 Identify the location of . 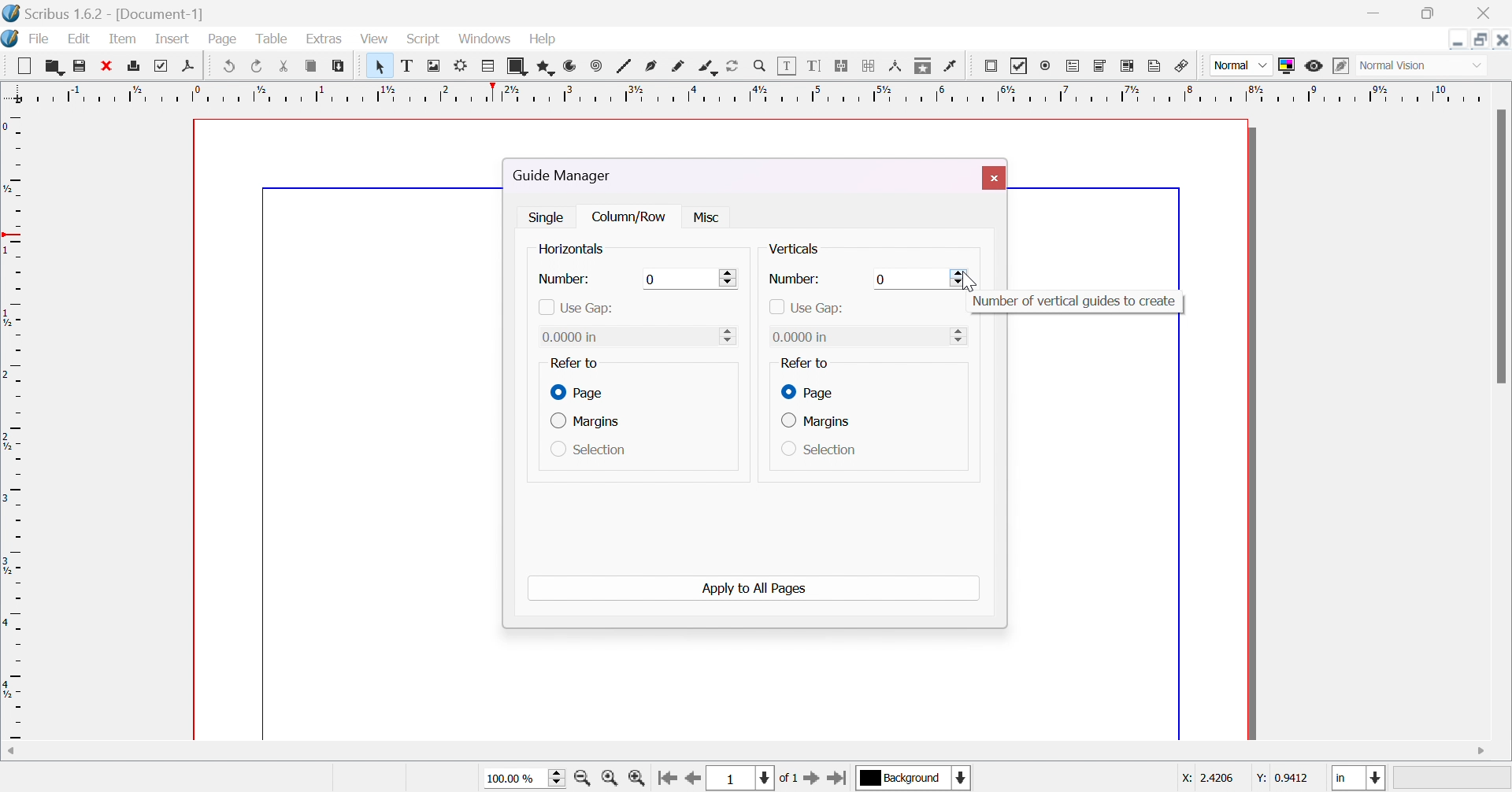
(653, 278).